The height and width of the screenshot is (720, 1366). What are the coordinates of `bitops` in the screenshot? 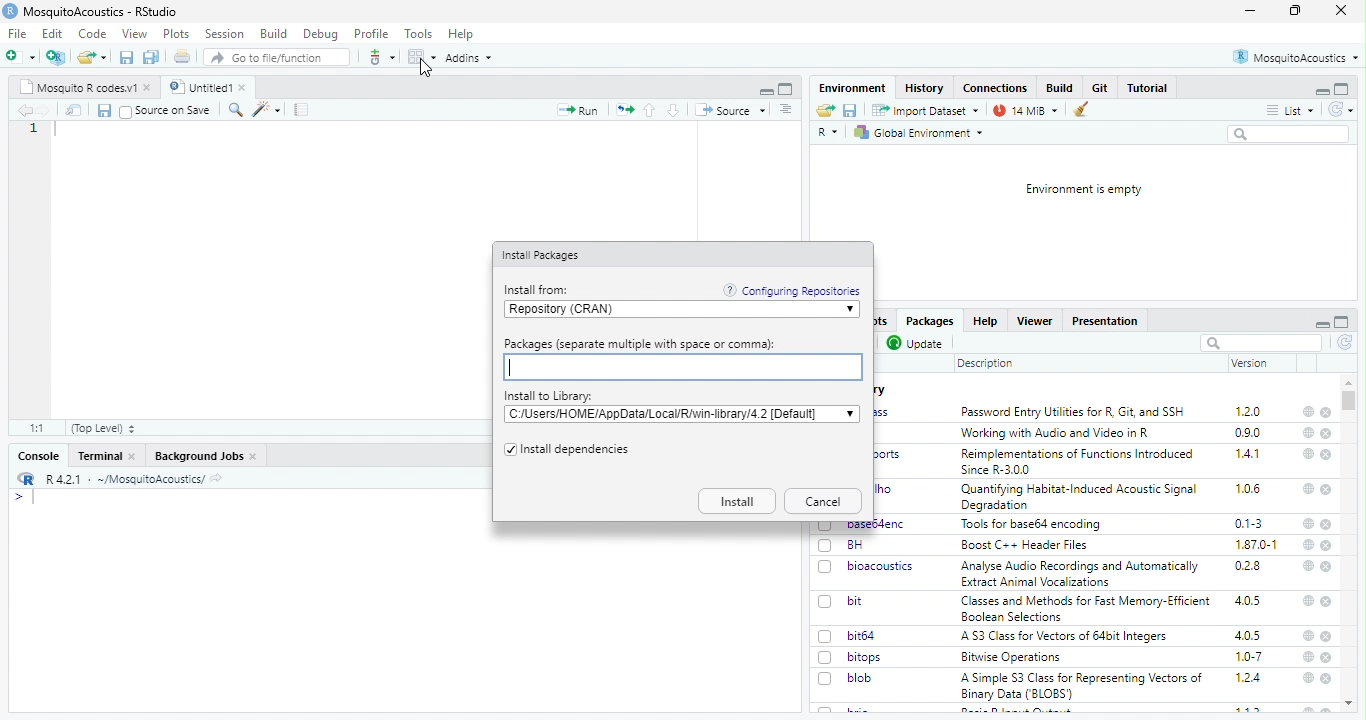 It's located at (866, 657).